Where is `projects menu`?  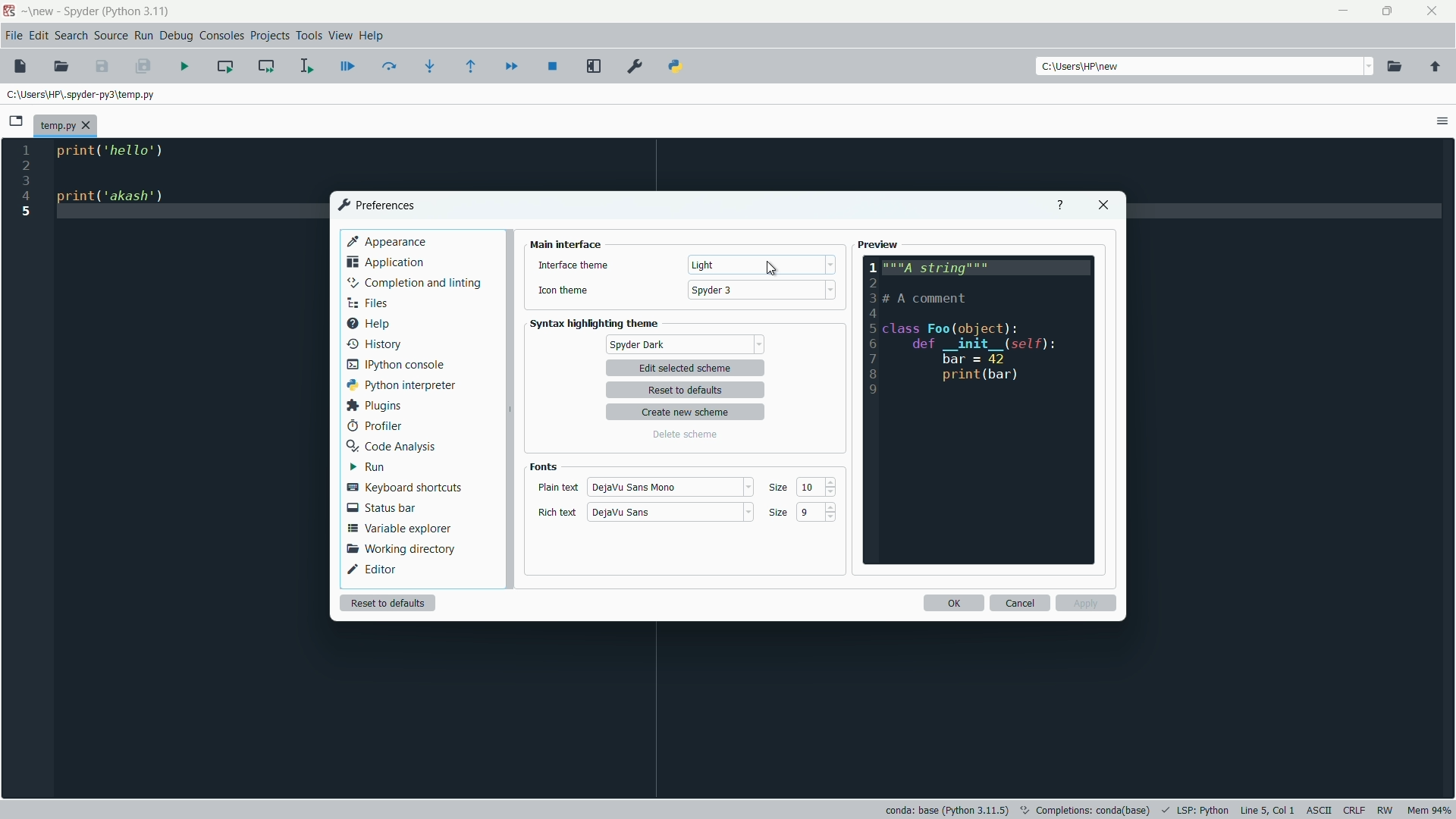
projects menu is located at coordinates (269, 36).